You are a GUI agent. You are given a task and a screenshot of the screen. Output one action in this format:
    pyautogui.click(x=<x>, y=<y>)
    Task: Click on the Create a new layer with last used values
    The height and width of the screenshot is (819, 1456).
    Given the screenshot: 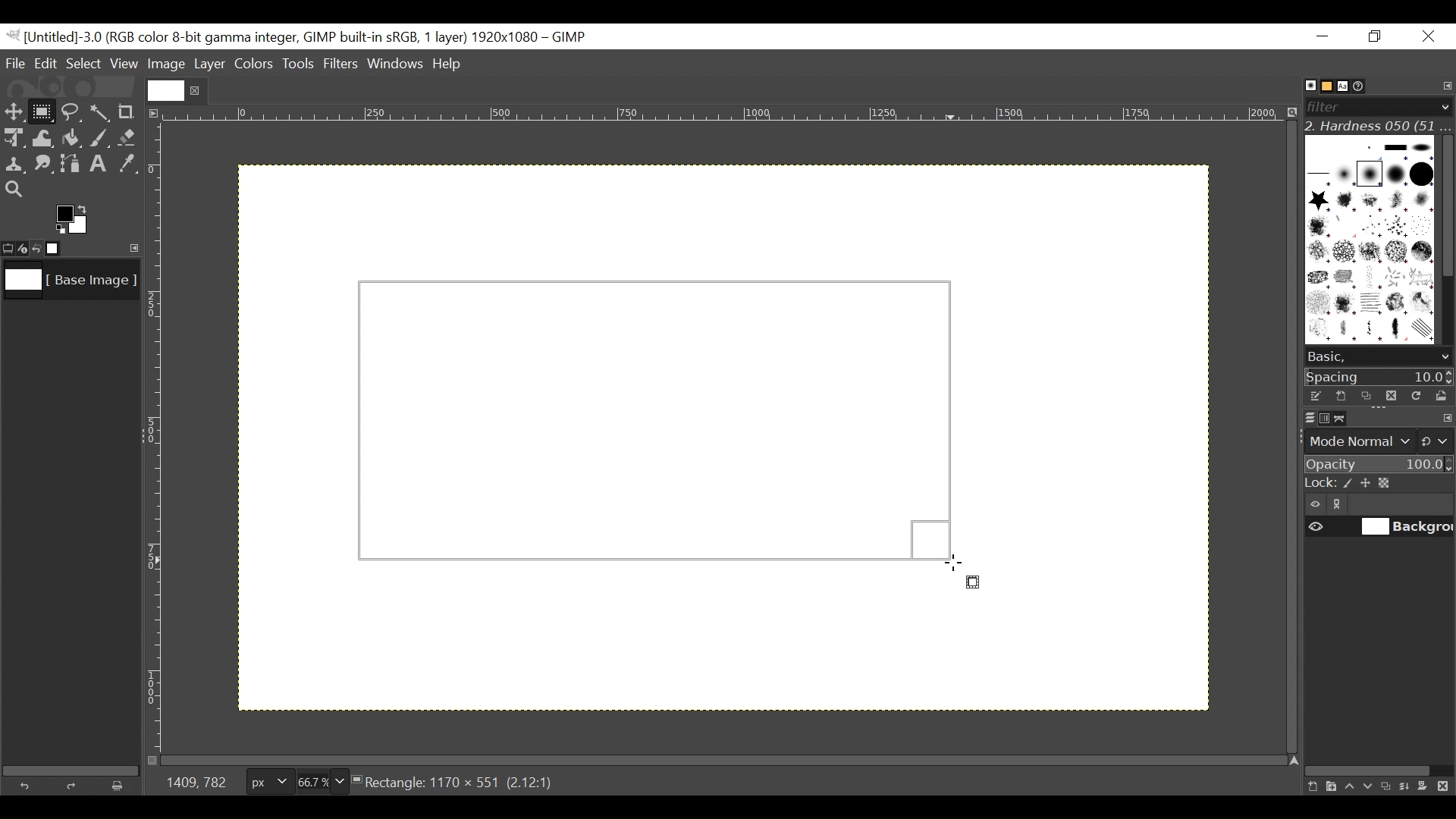 What is the action you would take?
    pyautogui.click(x=1310, y=787)
    